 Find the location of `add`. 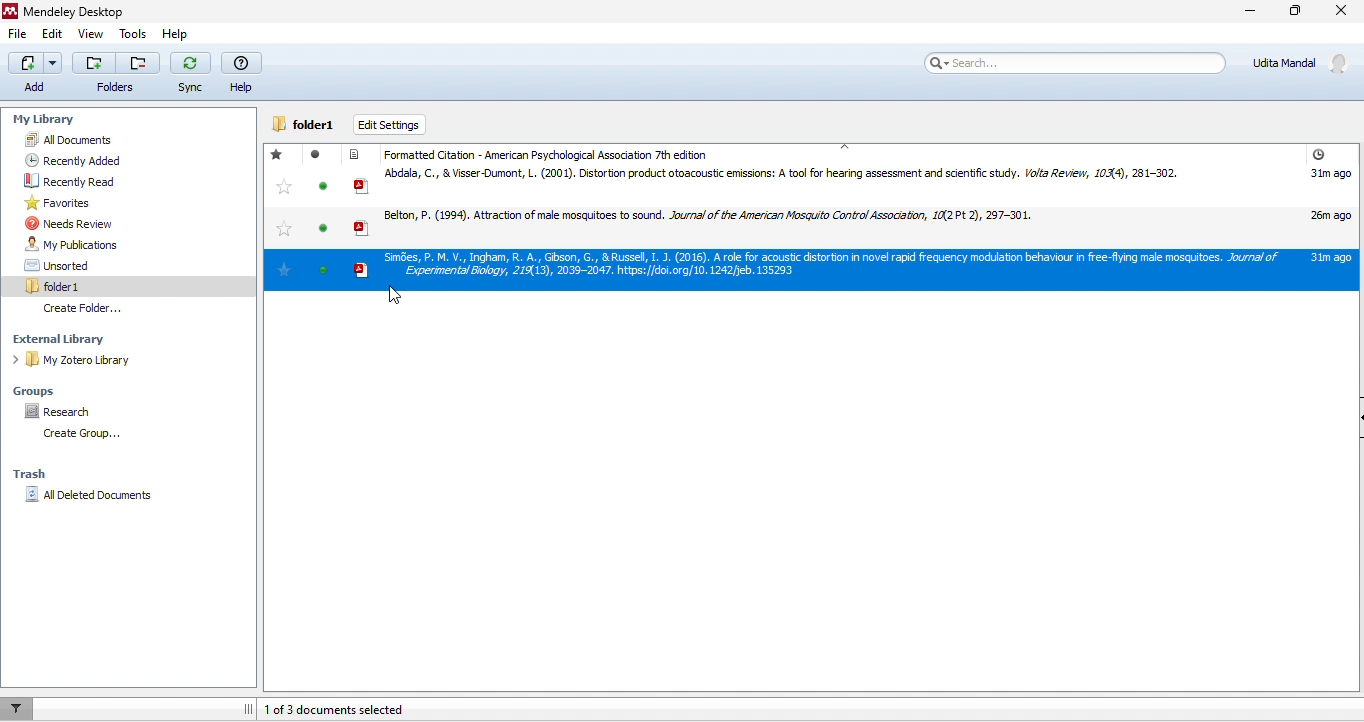

add is located at coordinates (32, 72).